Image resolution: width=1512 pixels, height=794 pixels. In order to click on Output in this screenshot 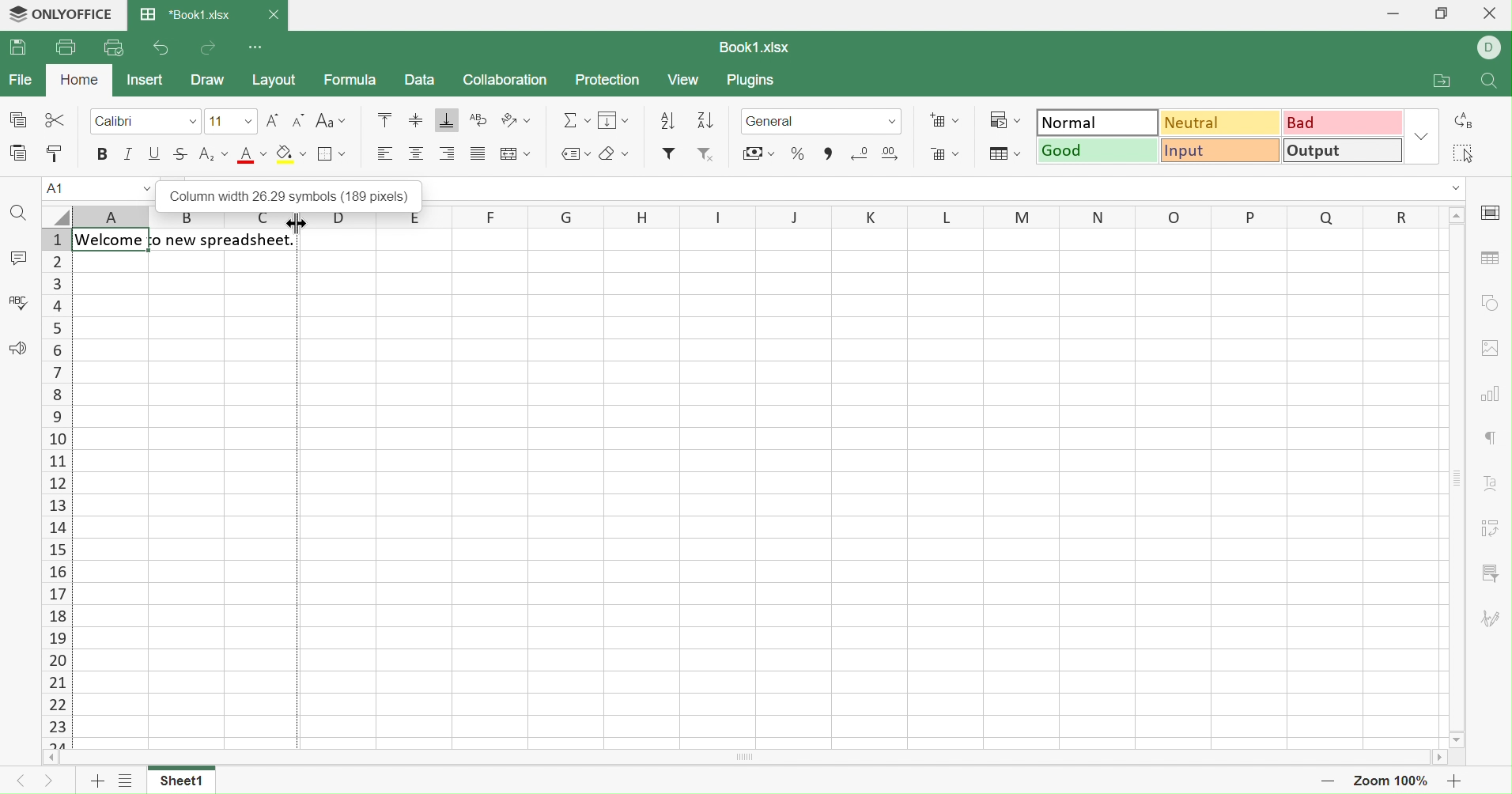, I will do `click(1345, 149)`.